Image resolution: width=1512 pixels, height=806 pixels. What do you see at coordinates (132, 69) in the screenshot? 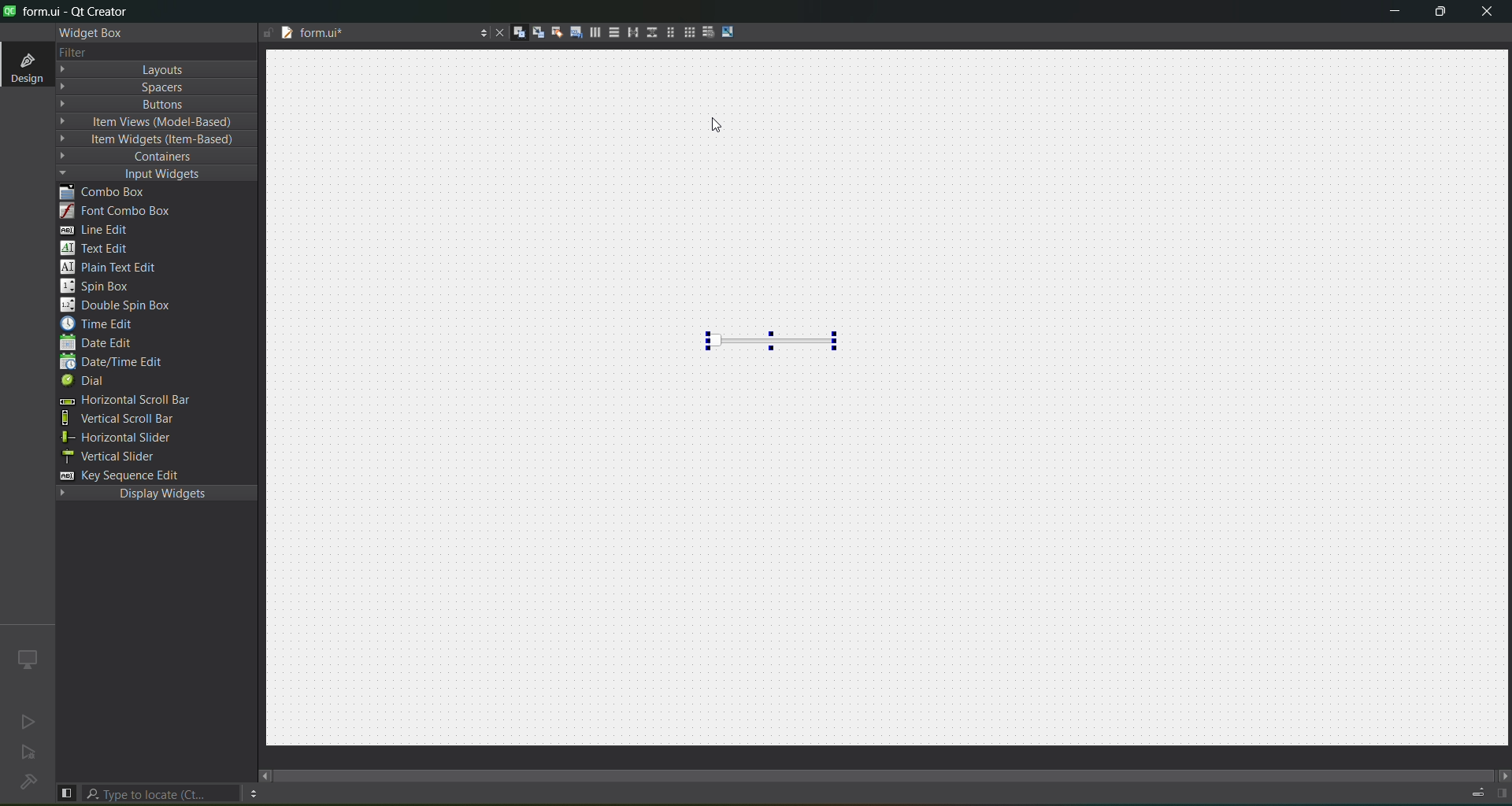
I see `layout` at bounding box center [132, 69].